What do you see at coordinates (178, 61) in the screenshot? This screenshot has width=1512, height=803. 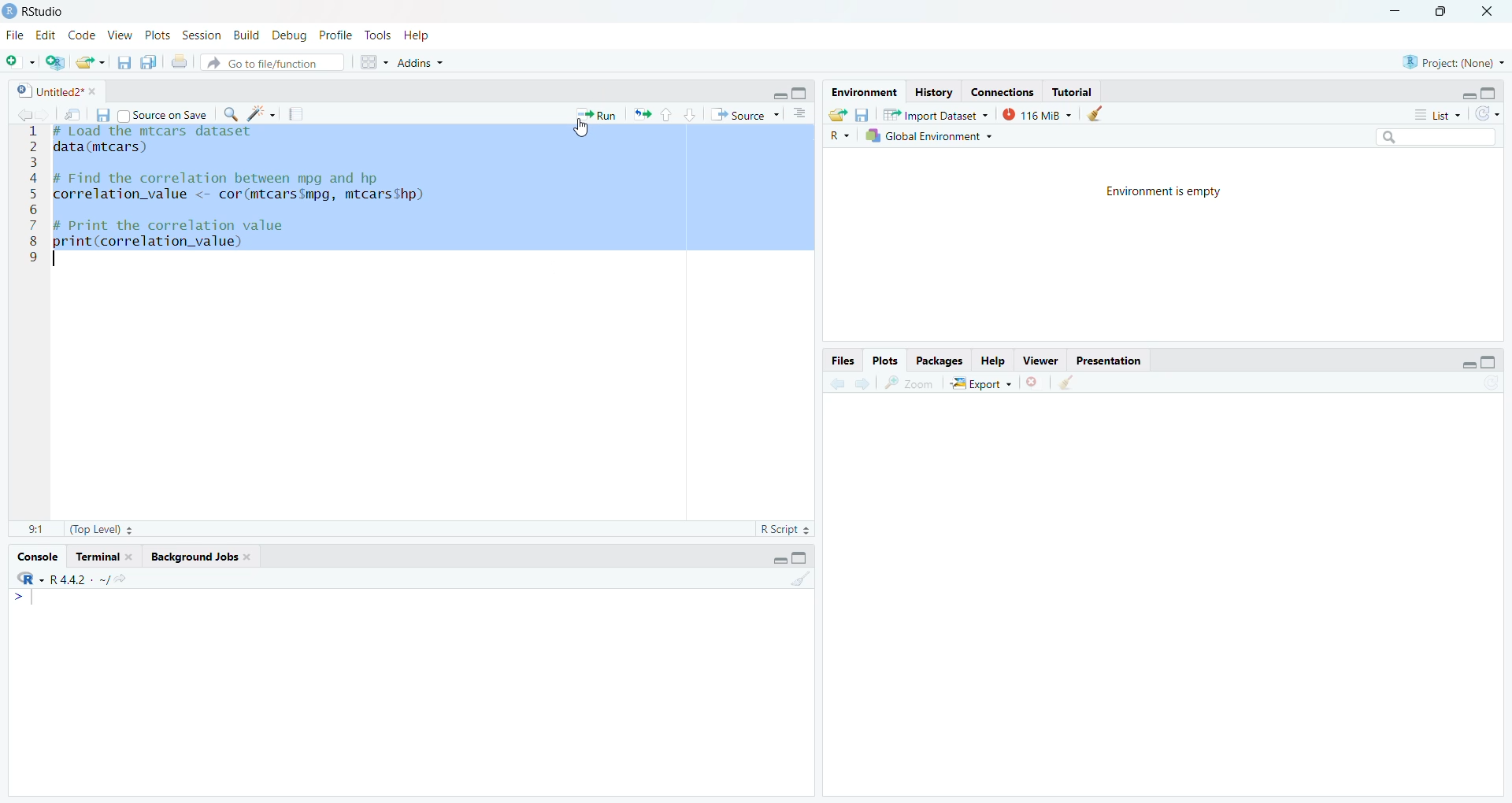 I see `Print the current file` at bounding box center [178, 61].